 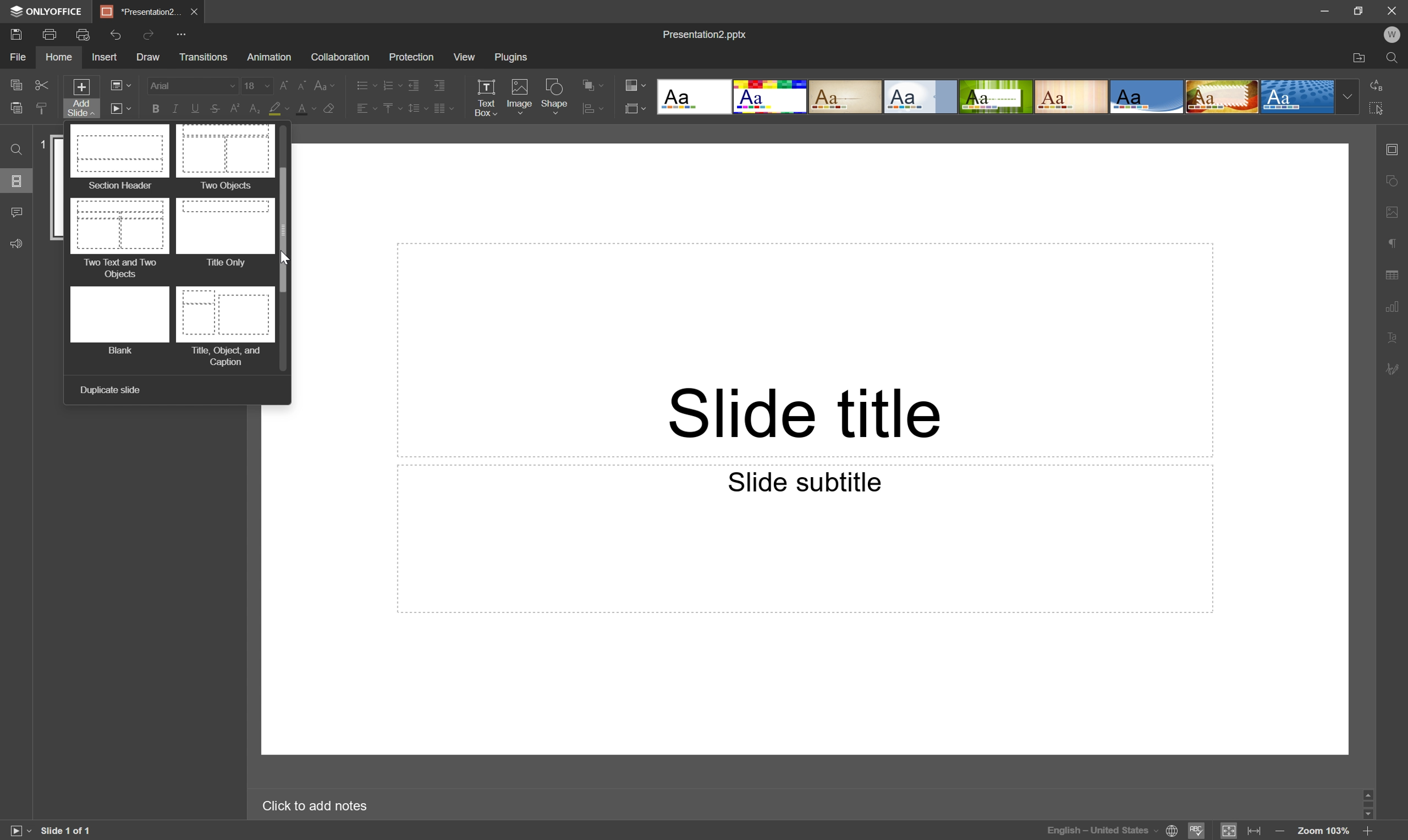 I want to click on Zoom 103%, so click(x=1324, y=832).